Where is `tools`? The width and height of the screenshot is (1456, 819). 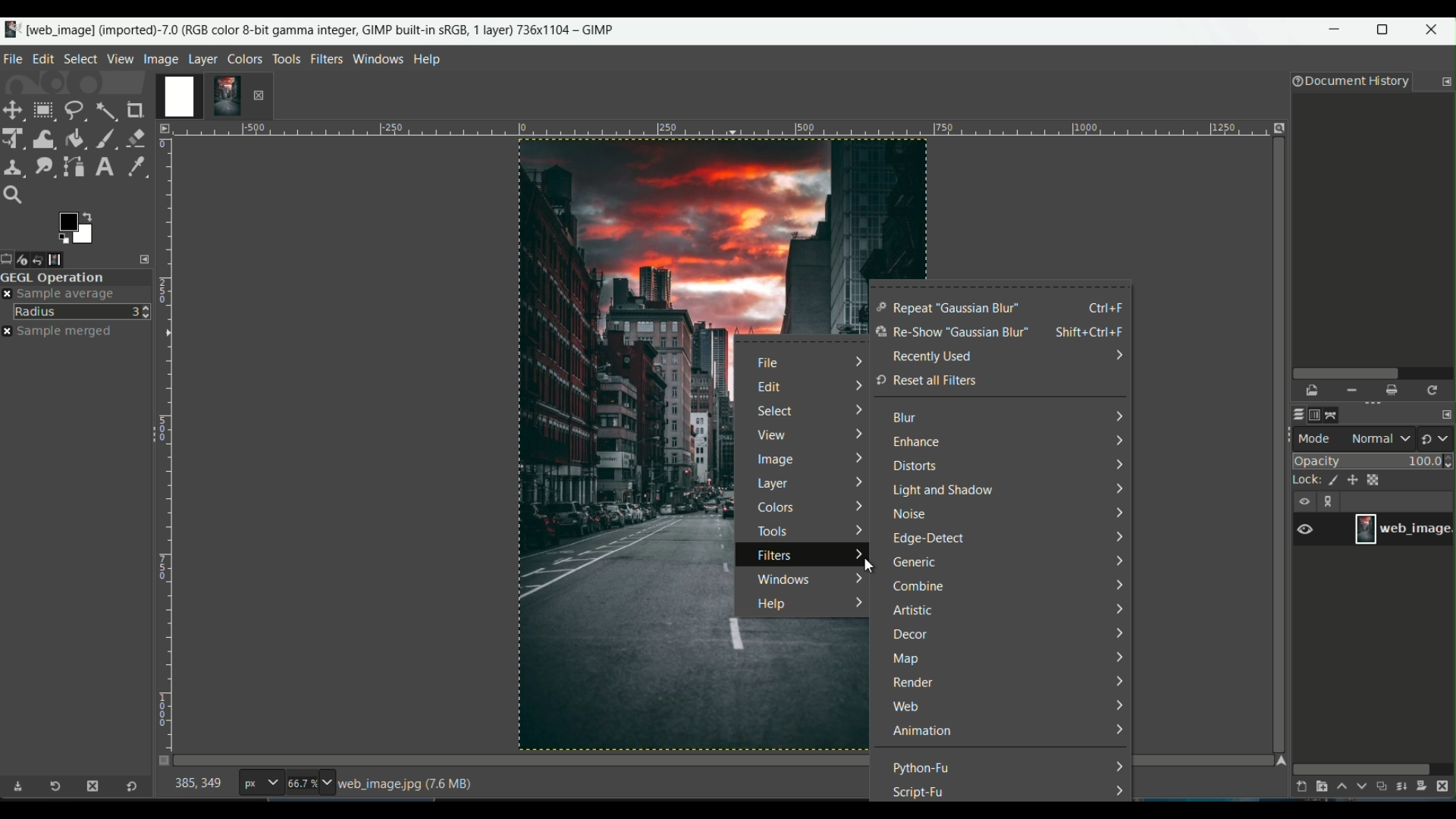
tools is located at coordinates (771, 531).